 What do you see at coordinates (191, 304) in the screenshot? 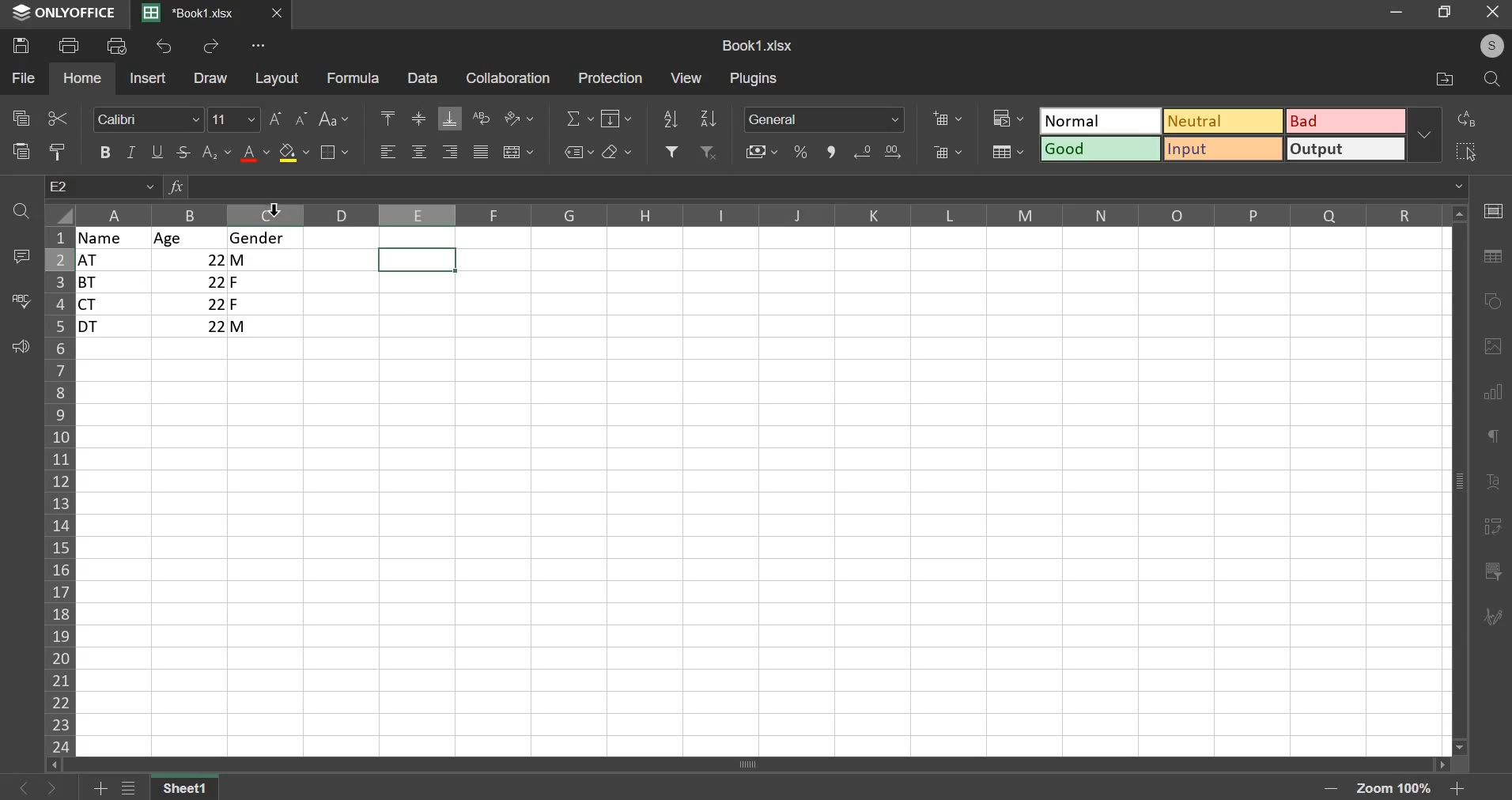
I see `22` at bounding box center [191, 304].